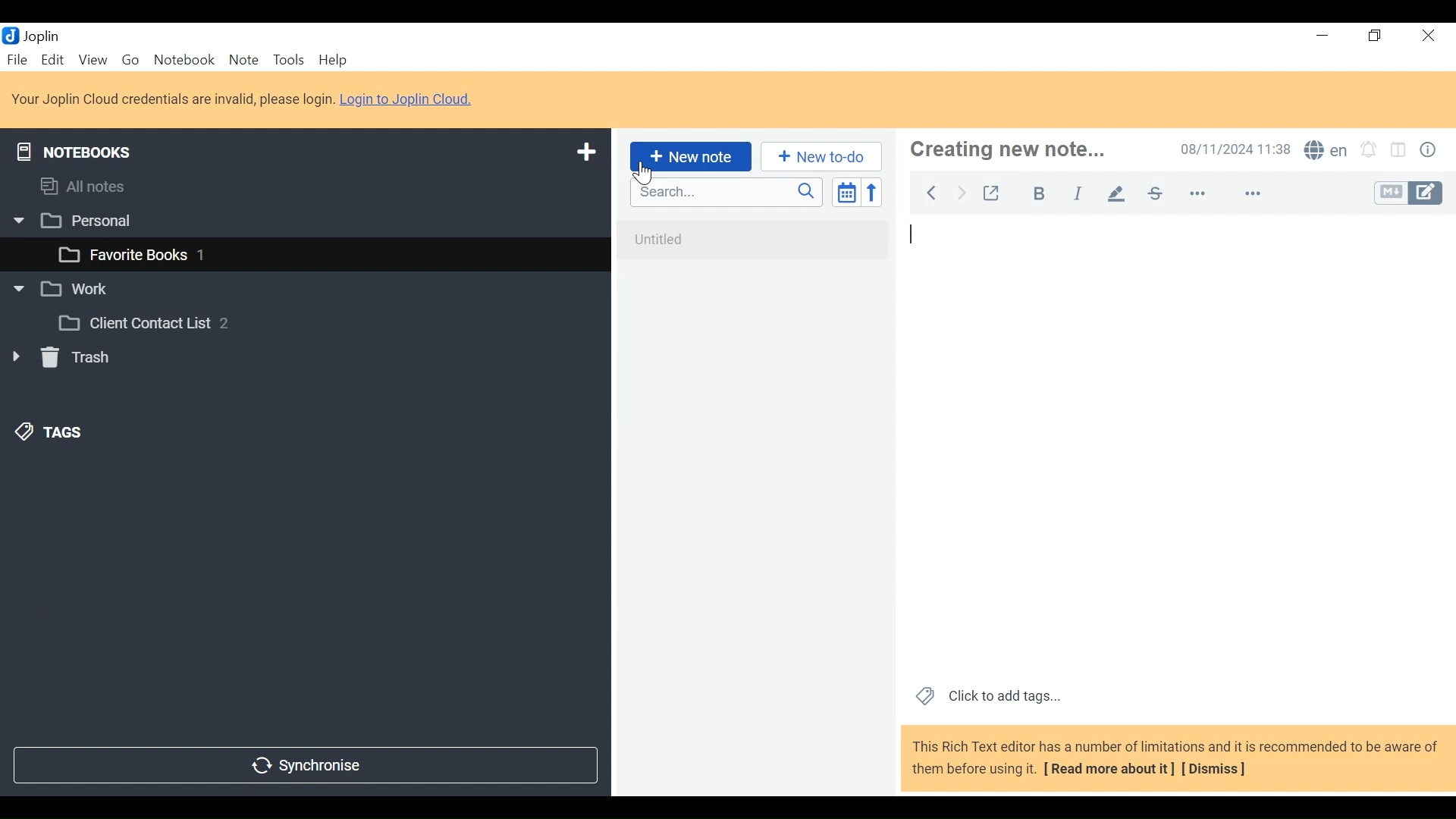 The image size is (1456, 819). I want to click on Trash, so click(62, 360).